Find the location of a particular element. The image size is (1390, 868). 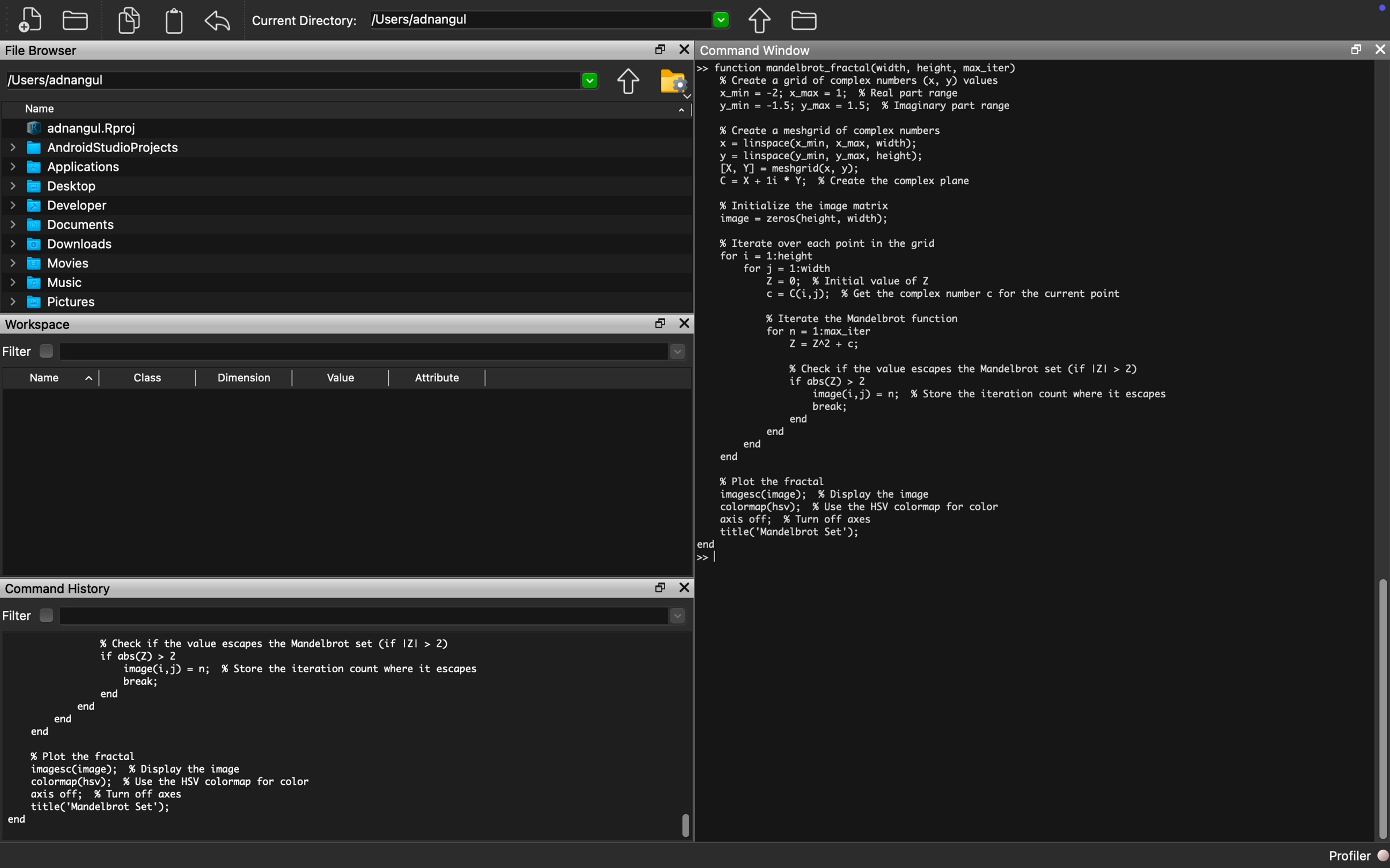

Restore Down is located at coordinates (659, 322).